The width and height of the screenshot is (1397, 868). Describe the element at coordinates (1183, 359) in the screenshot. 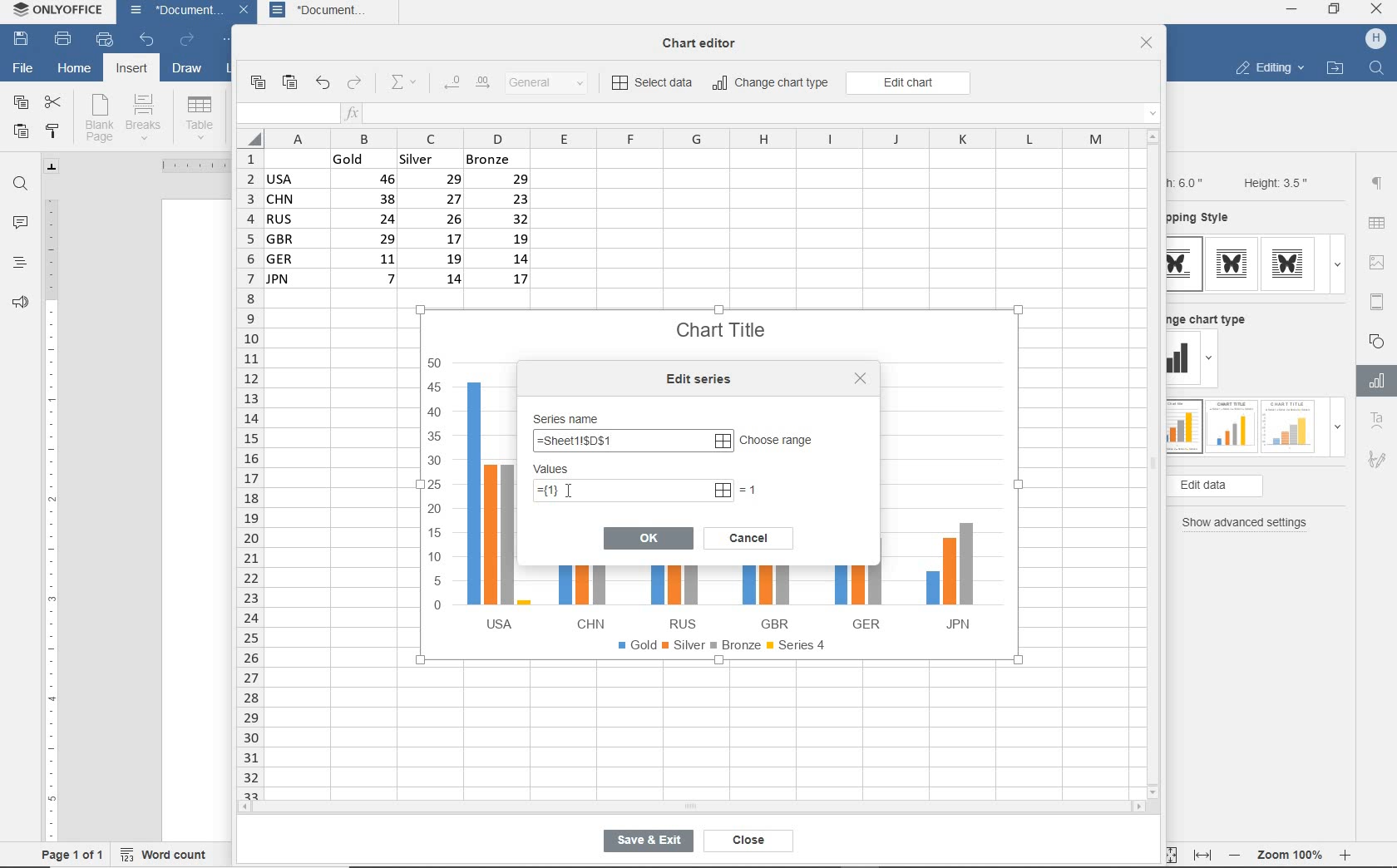

I see `change type` at that location.